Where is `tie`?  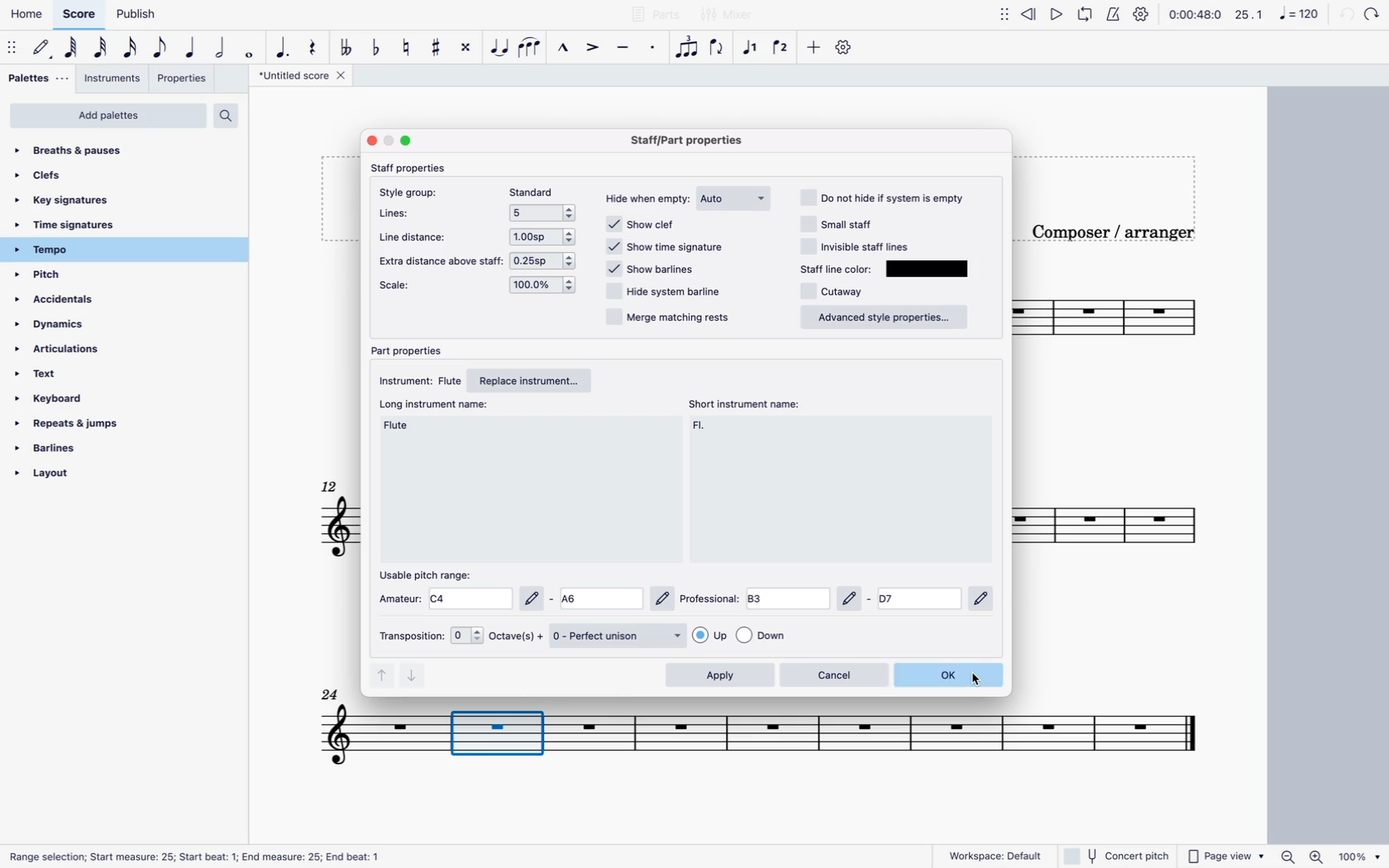
tie is located at coordinates (499, 46).